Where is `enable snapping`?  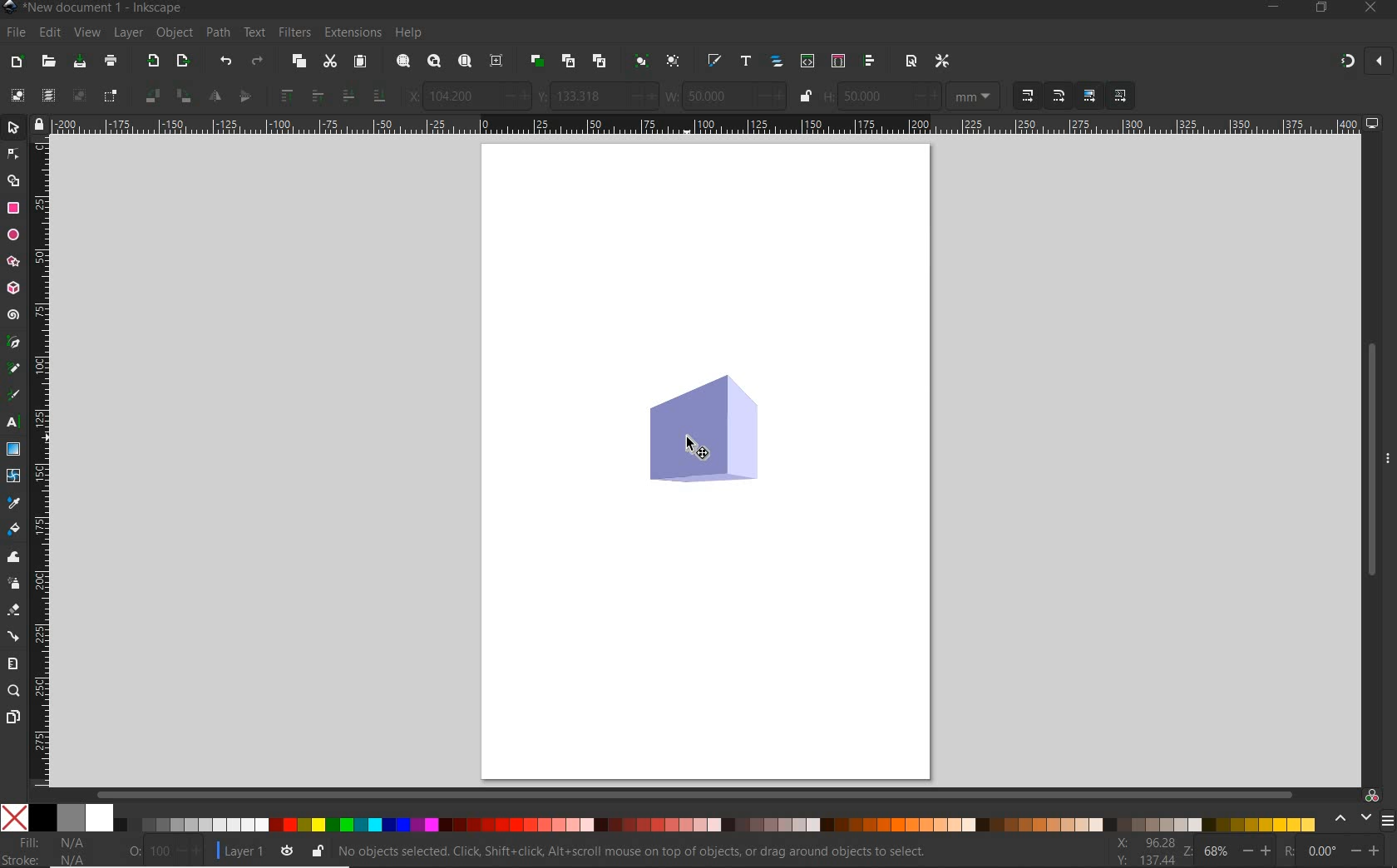 enable snapping is located at coordinates (1346, 62).